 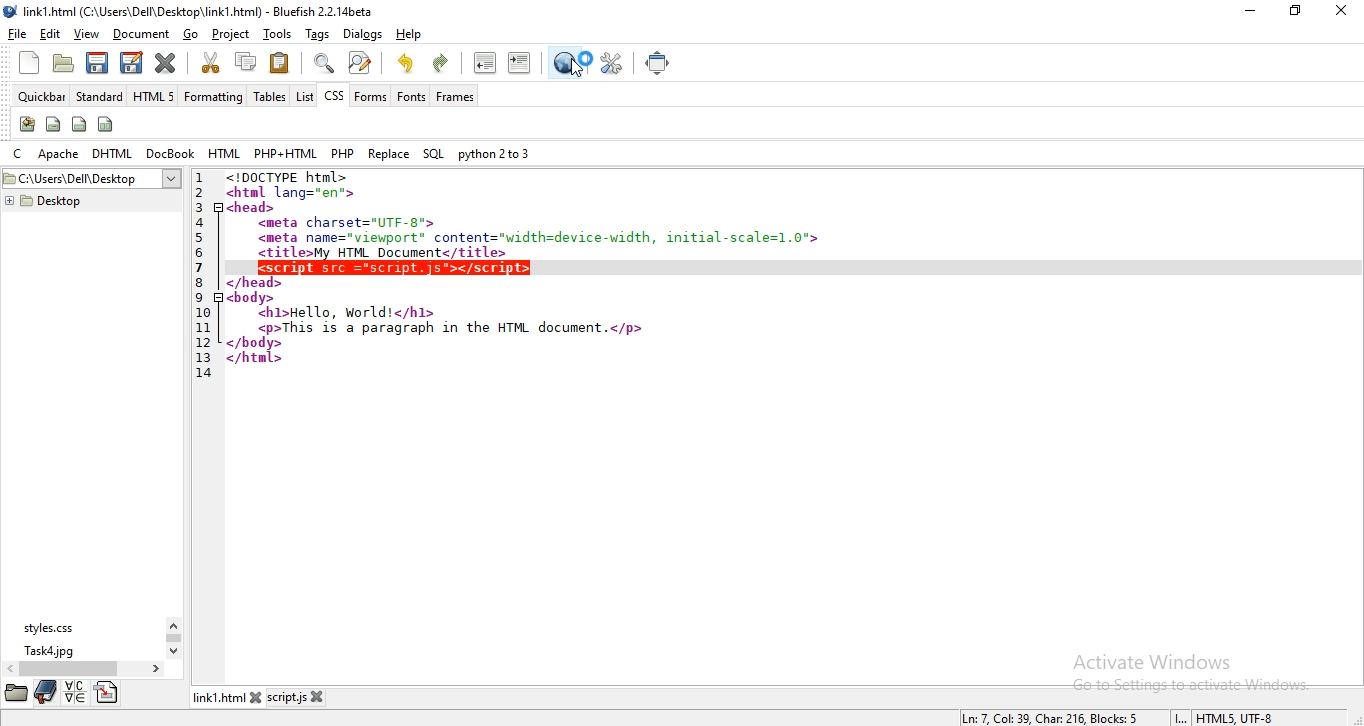 I want to click on html 5, so click(x=154, y=95).